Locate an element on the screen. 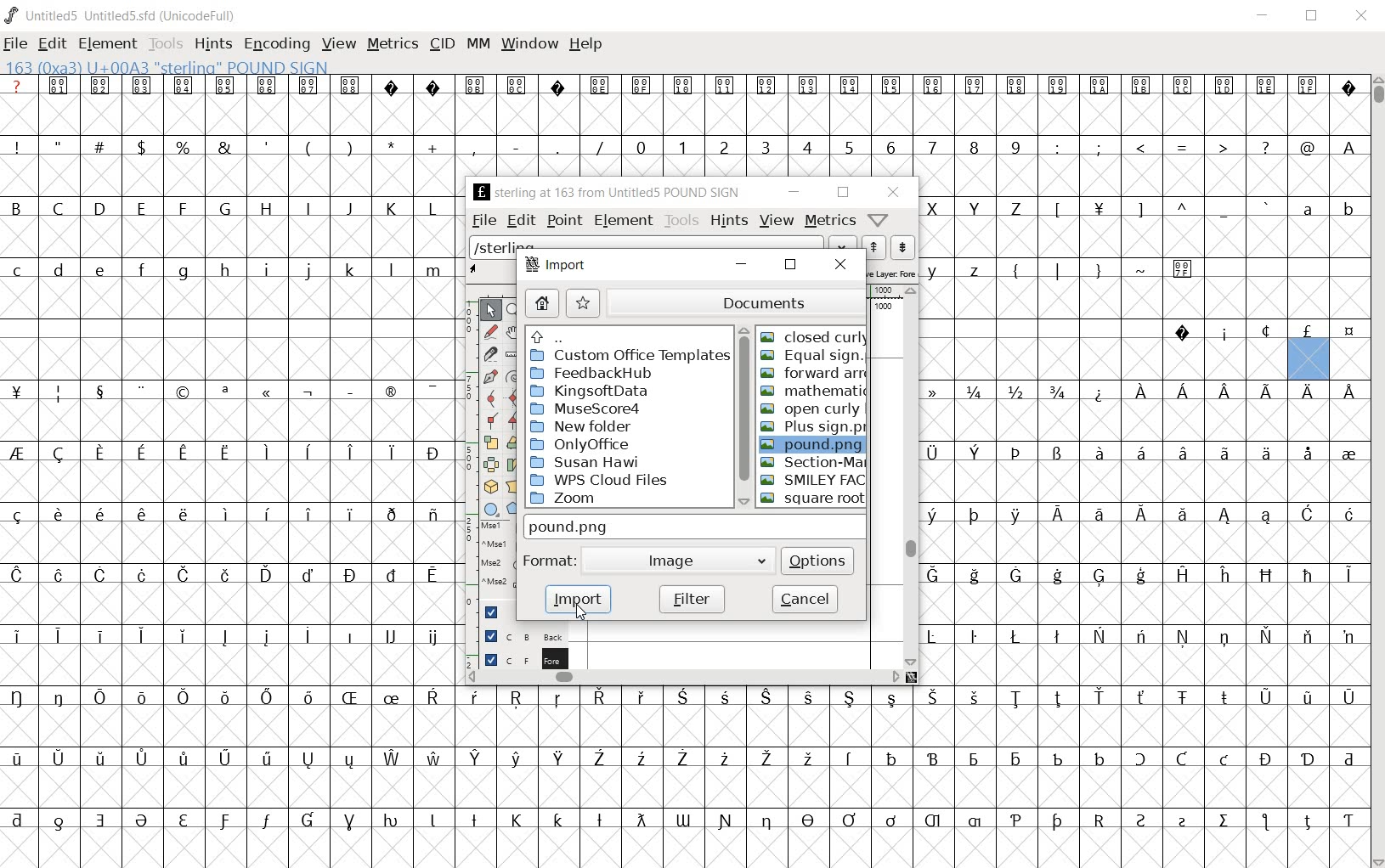 This screenshot has height=868, width=1385. Symbol is located at coordinates (891, 699).